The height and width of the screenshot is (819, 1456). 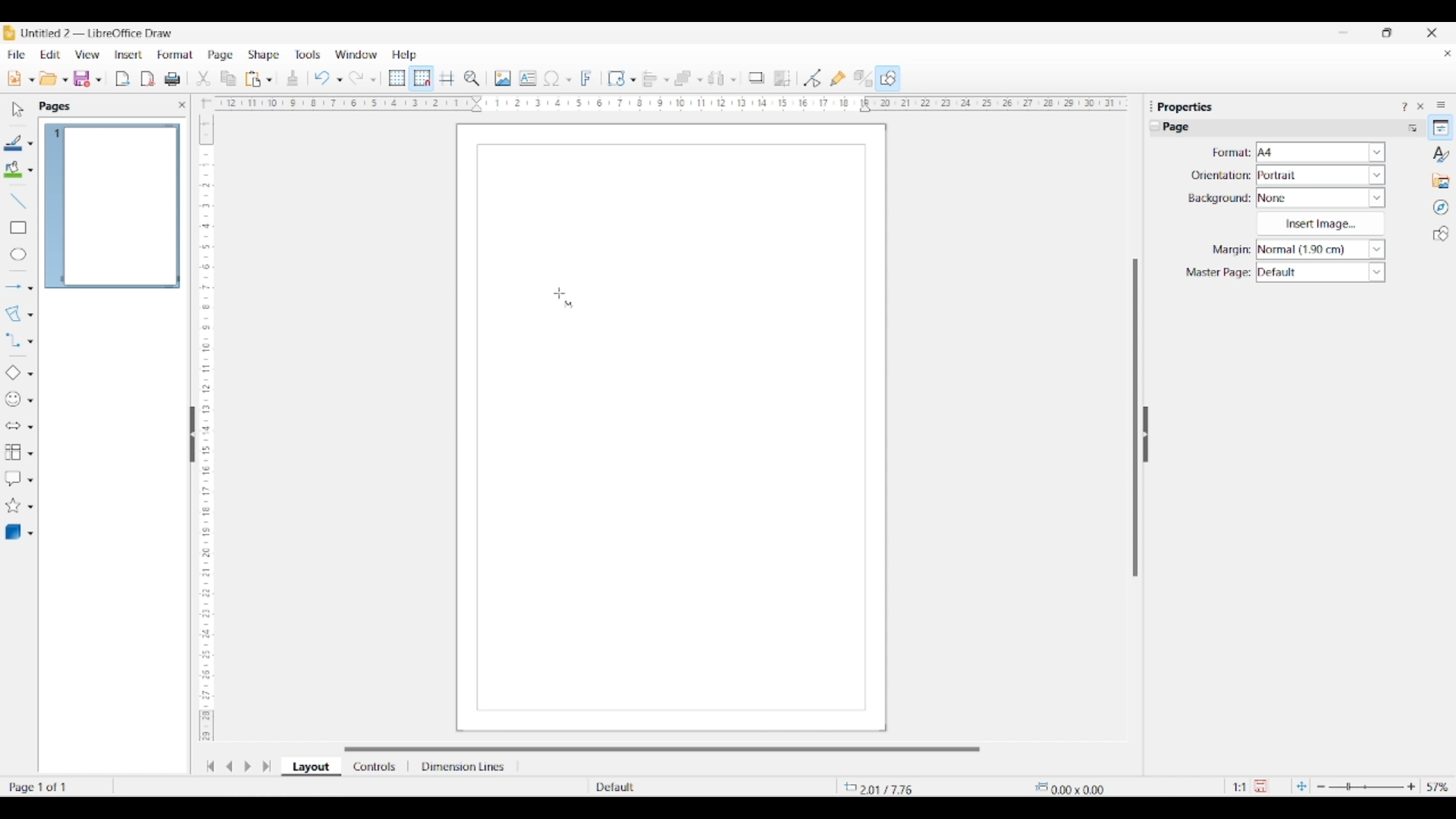 I want to click on Toggle extrusion, so click(x=863, y=79).